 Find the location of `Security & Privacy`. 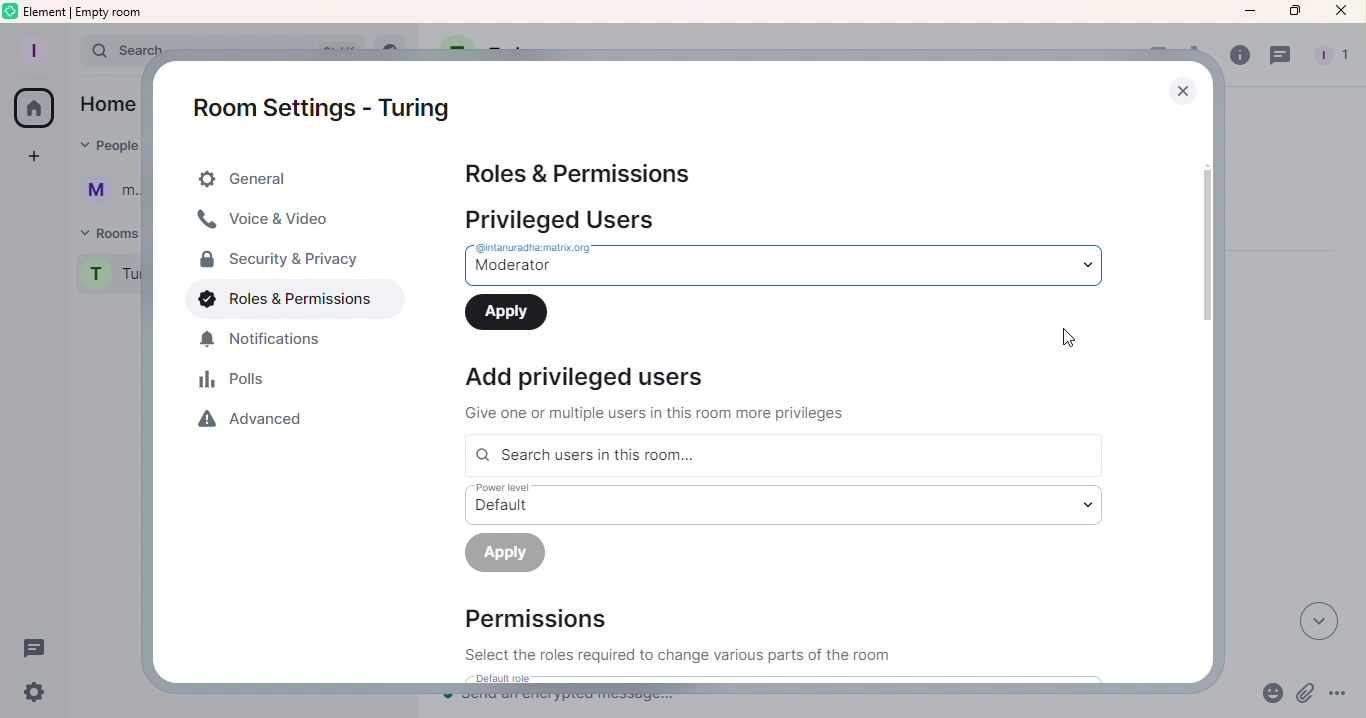

Security & Privacy is located at coordinates (281, 260).